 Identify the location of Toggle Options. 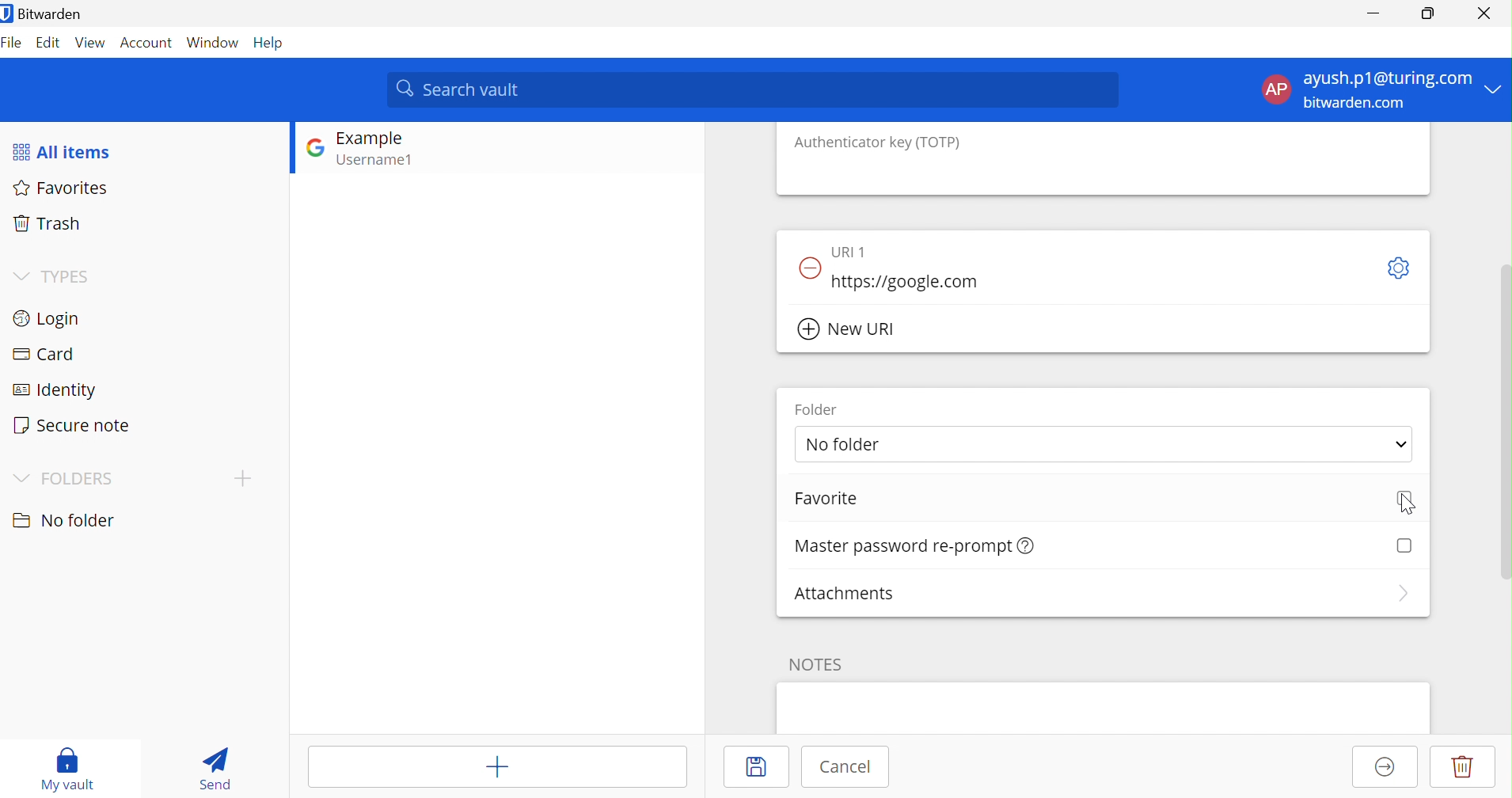
(1400, 268).